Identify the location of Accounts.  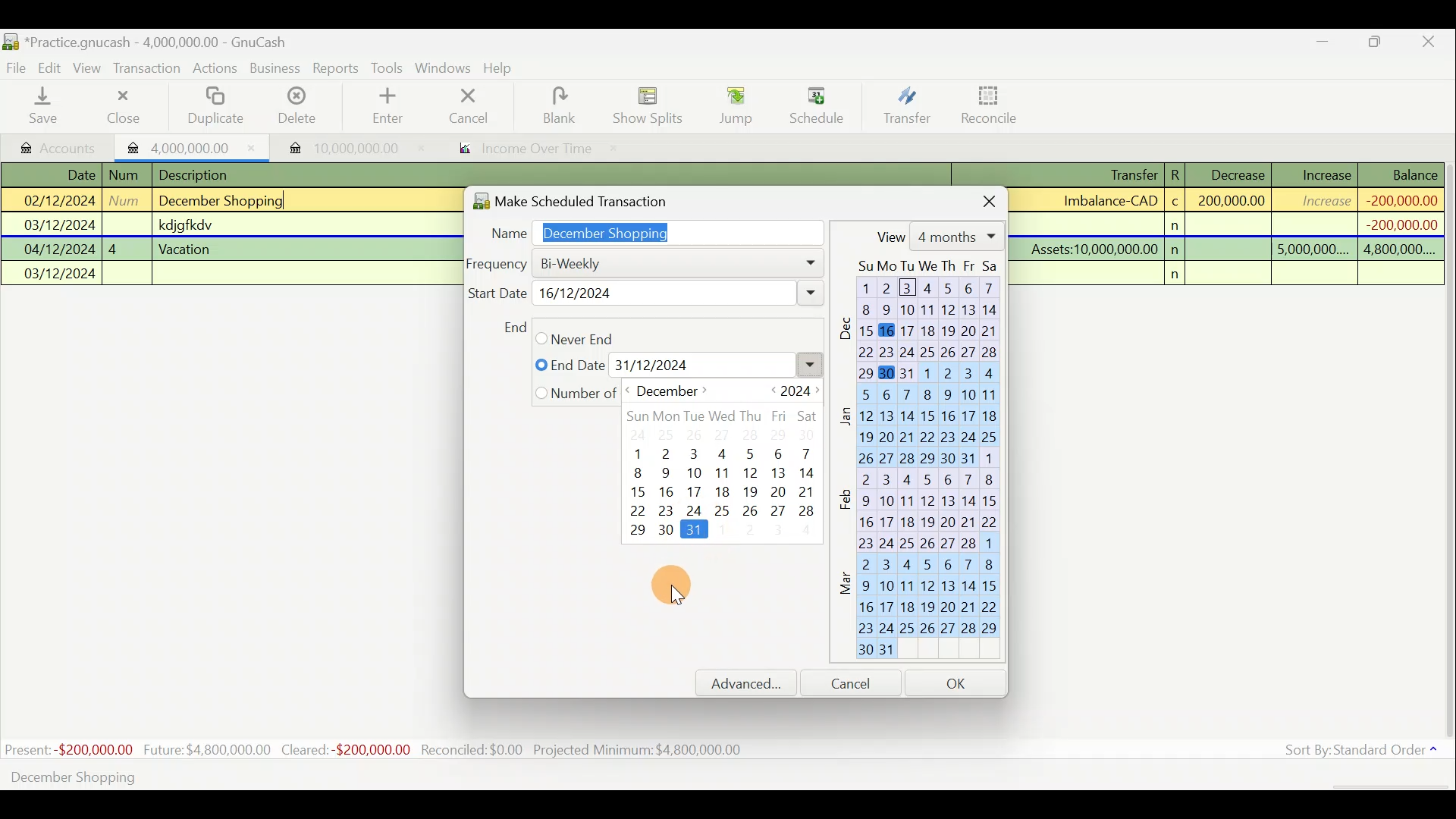
(60, 146).